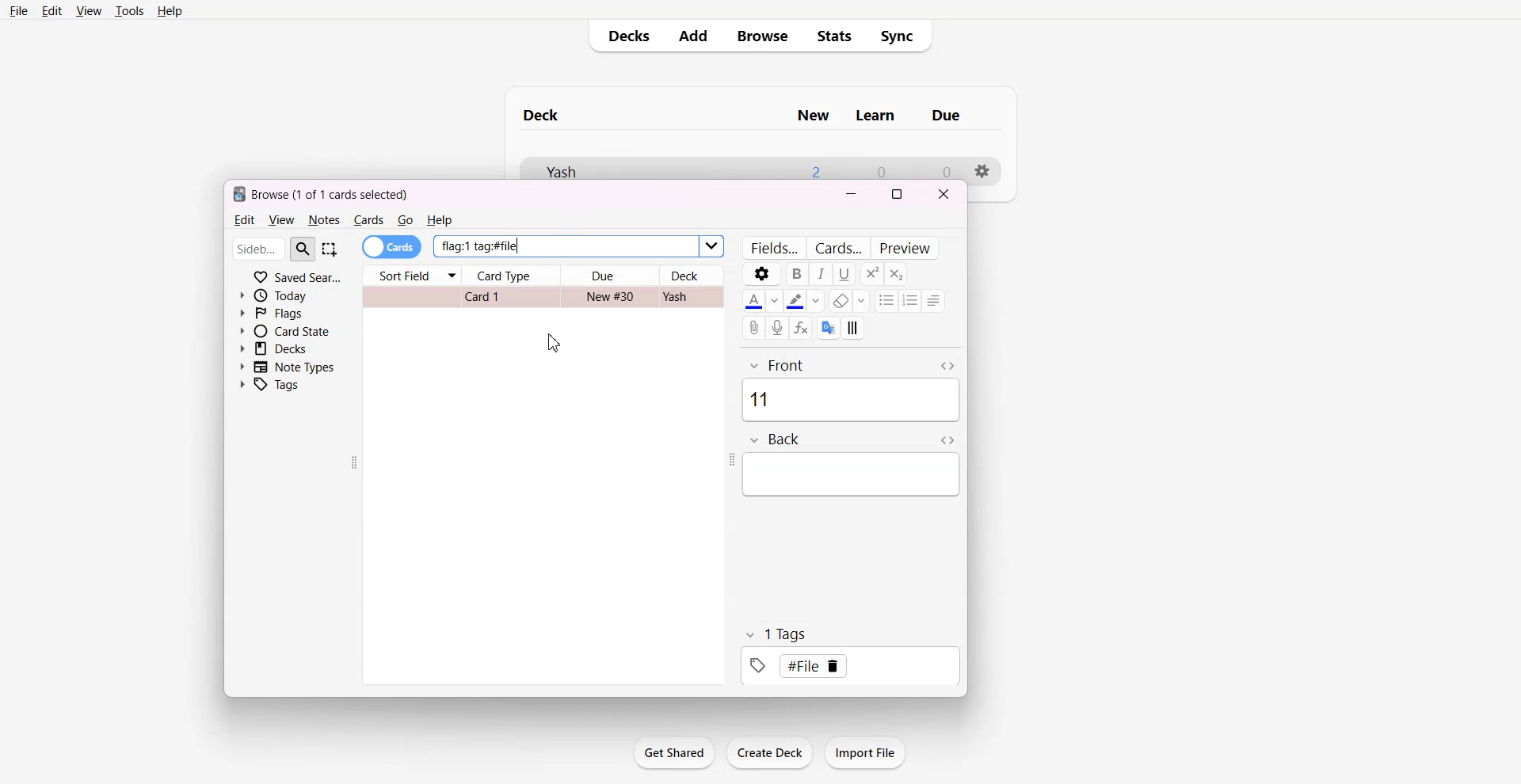 Image resolution: width=1521 pixels, height=784 pixels. What do you see at coordinates (88, 10) in the screenshot?
I see `View` at bounding box center [88, 10].